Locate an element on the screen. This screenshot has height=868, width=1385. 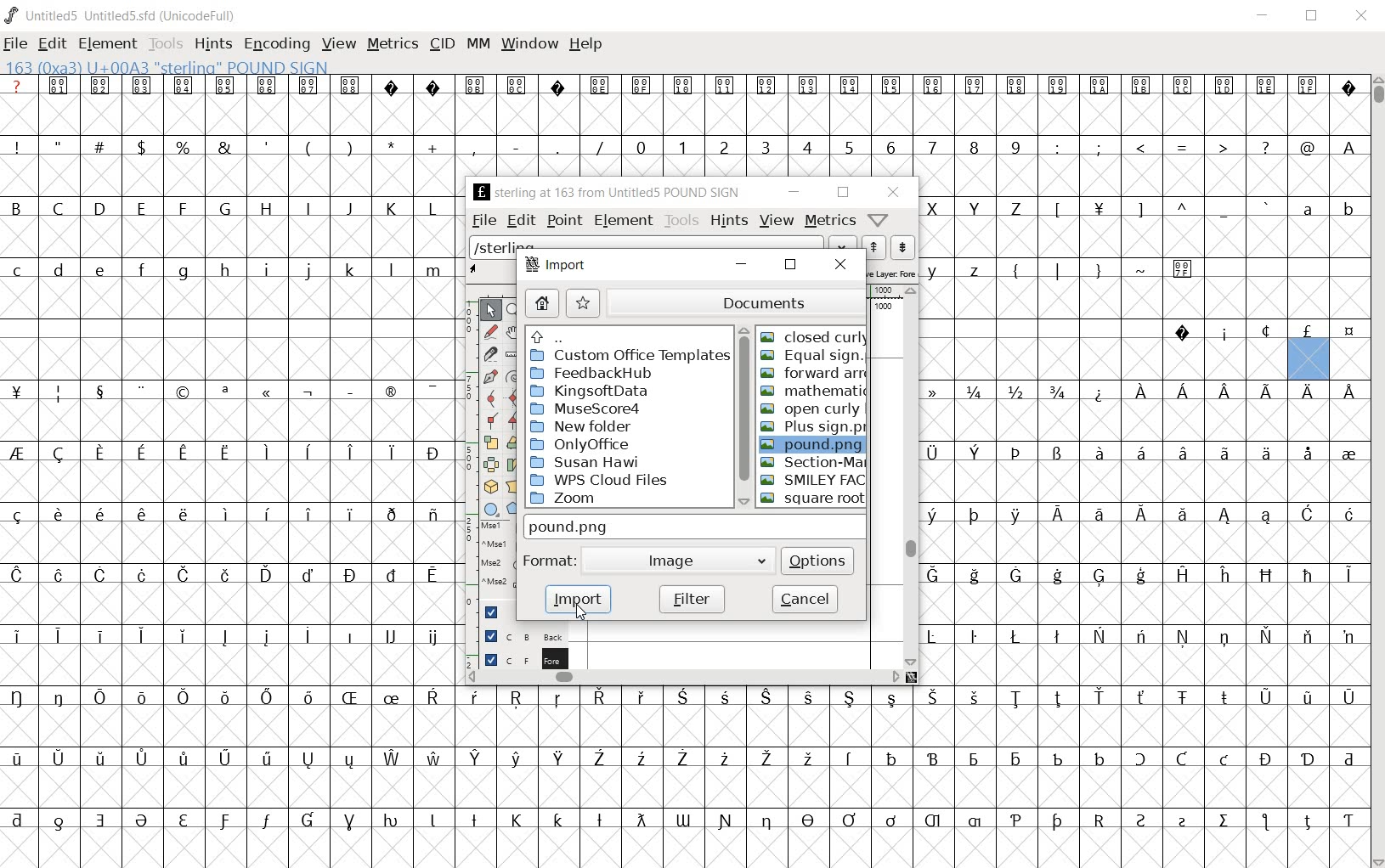
/ is located at coordinates (597, 148).